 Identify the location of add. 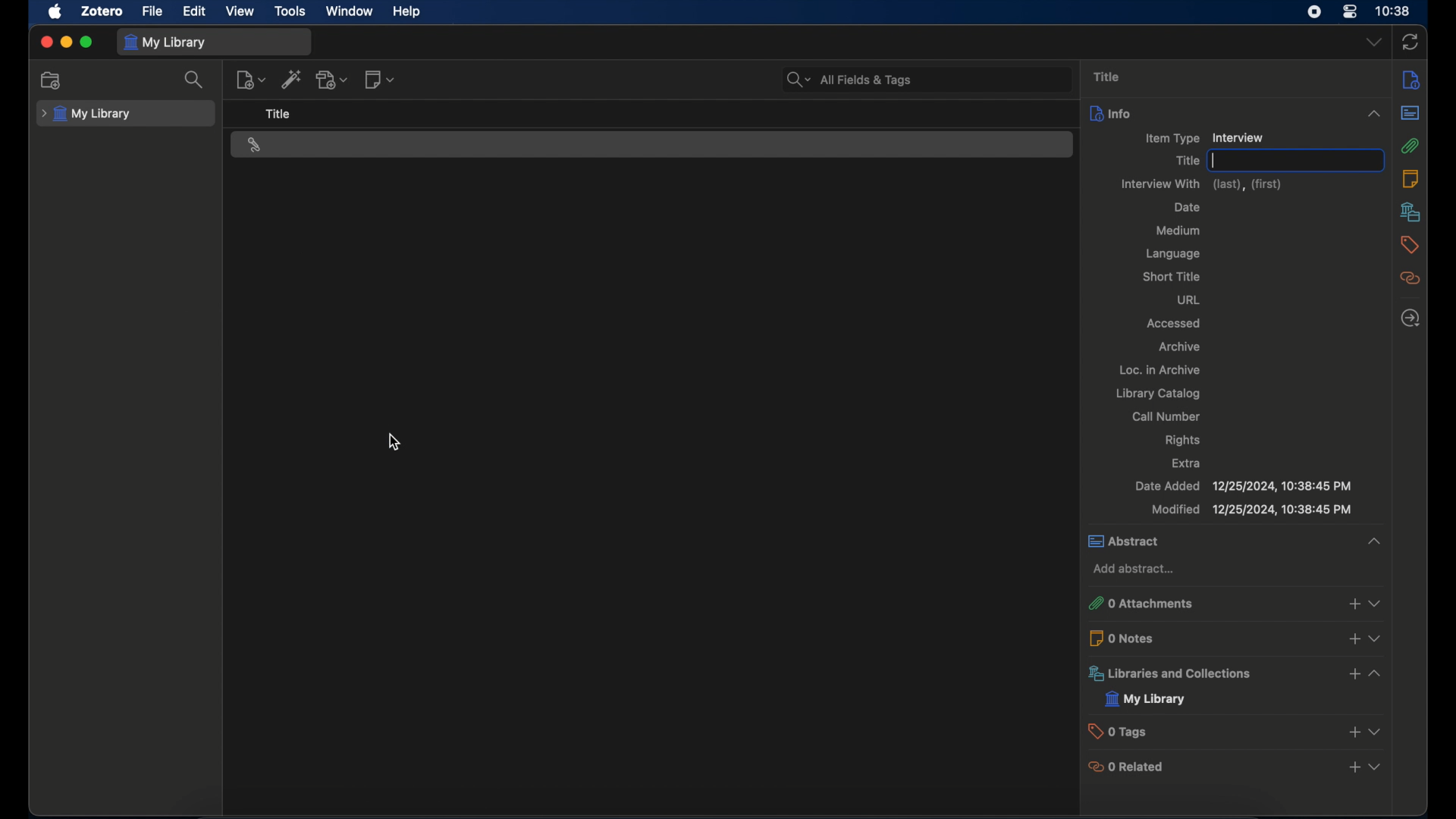
(1352, 604).